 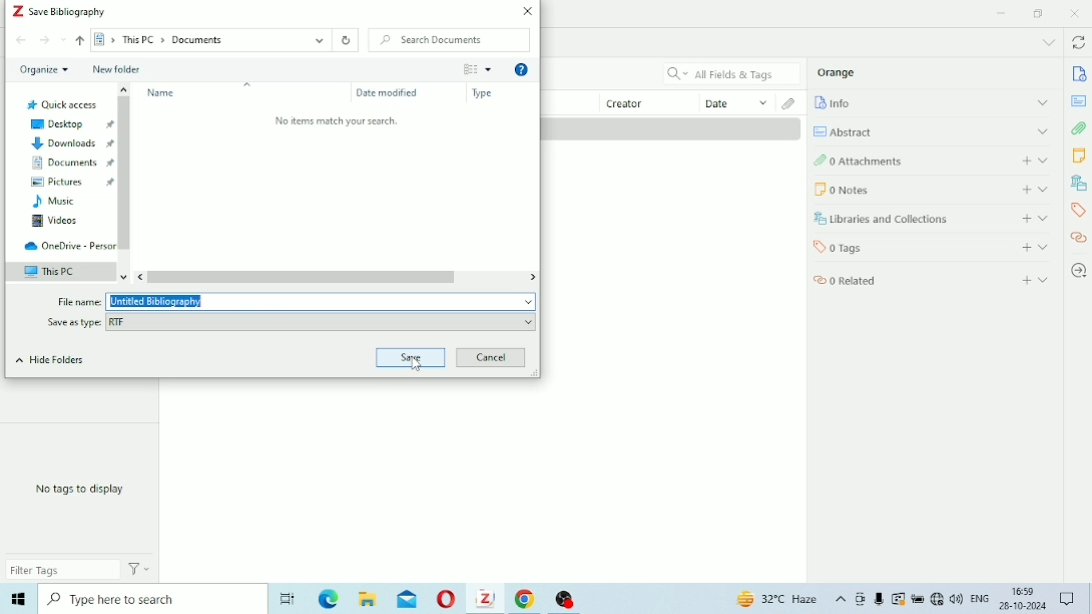 What do you see at coordinates (407, 599) in the screenshot?
I see `Mail` at bounding box center [407, 599].